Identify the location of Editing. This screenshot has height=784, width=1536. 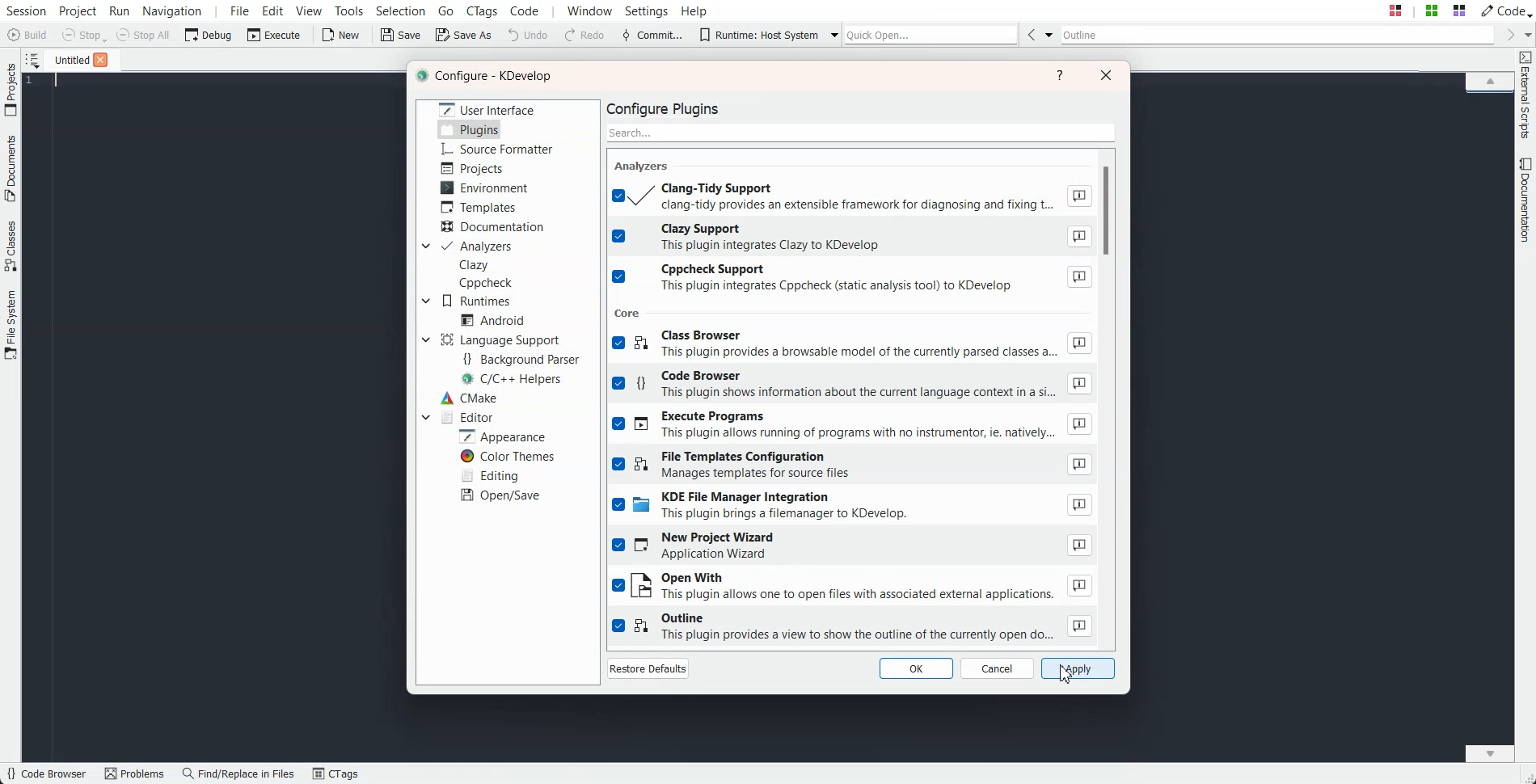
(489, 474).